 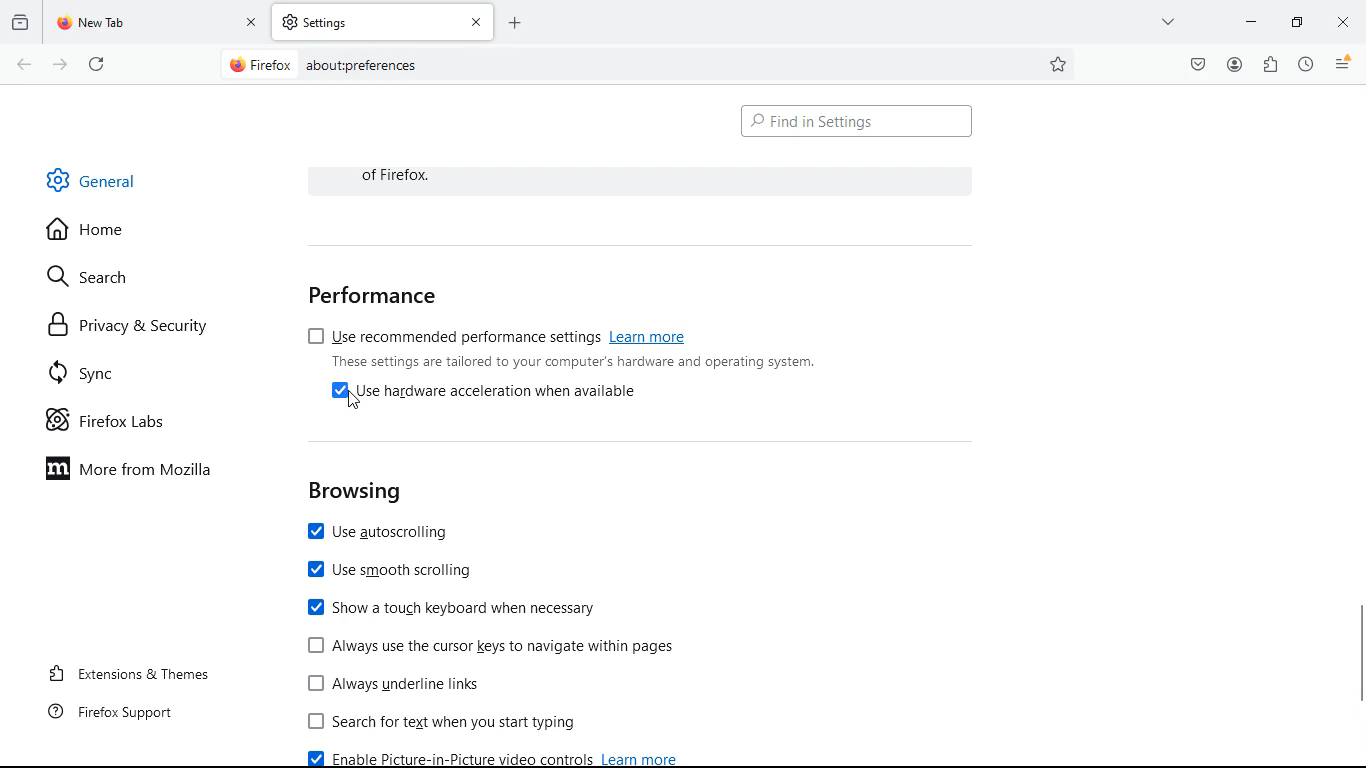 I want to click on firefox support, so click(x=108, y=717).